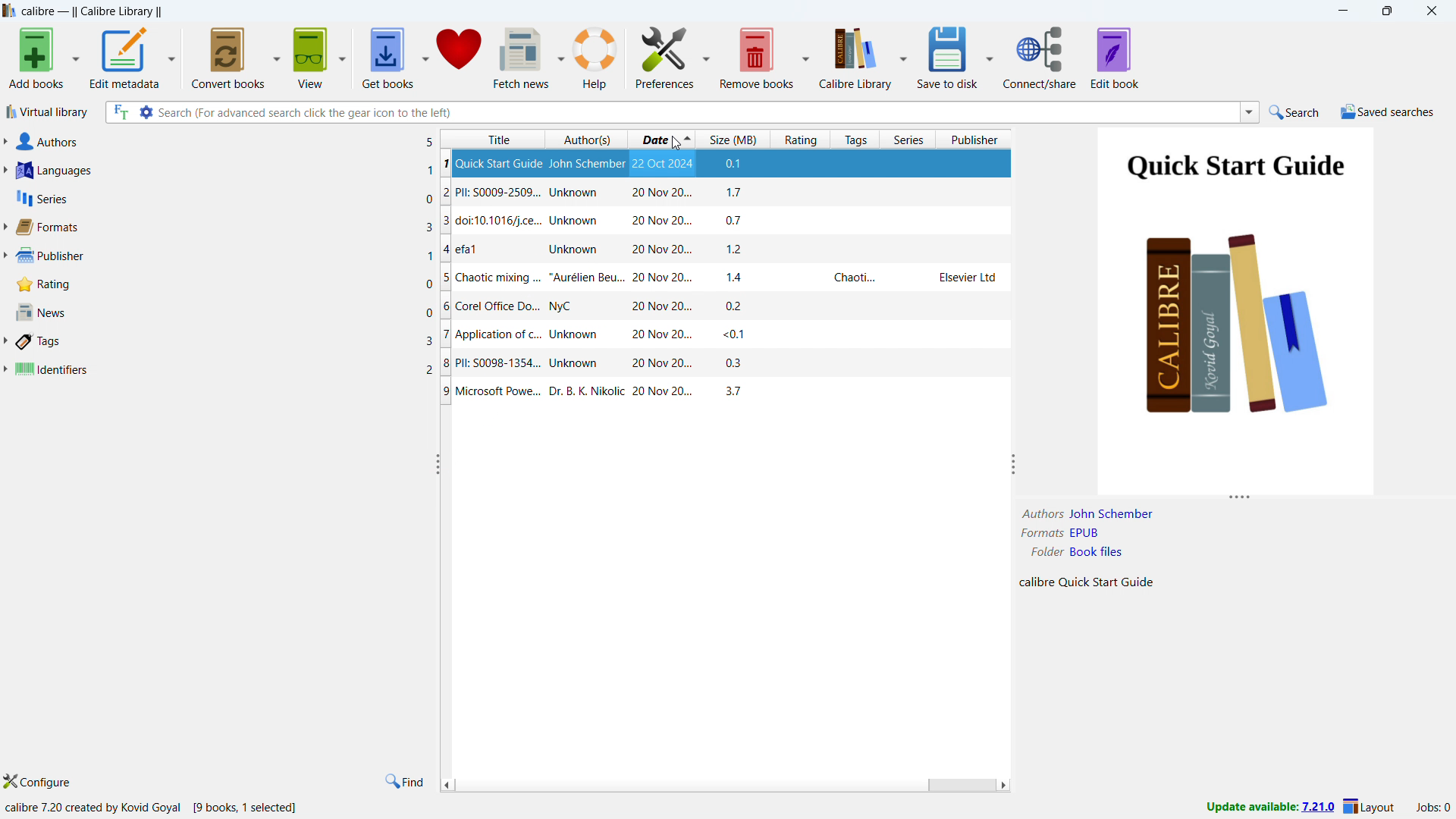 The width and height of the screenshot is (1456, 819). Describe the element at coordinates (1086, 533) in the screenshot. I see `EPUB` at that location.